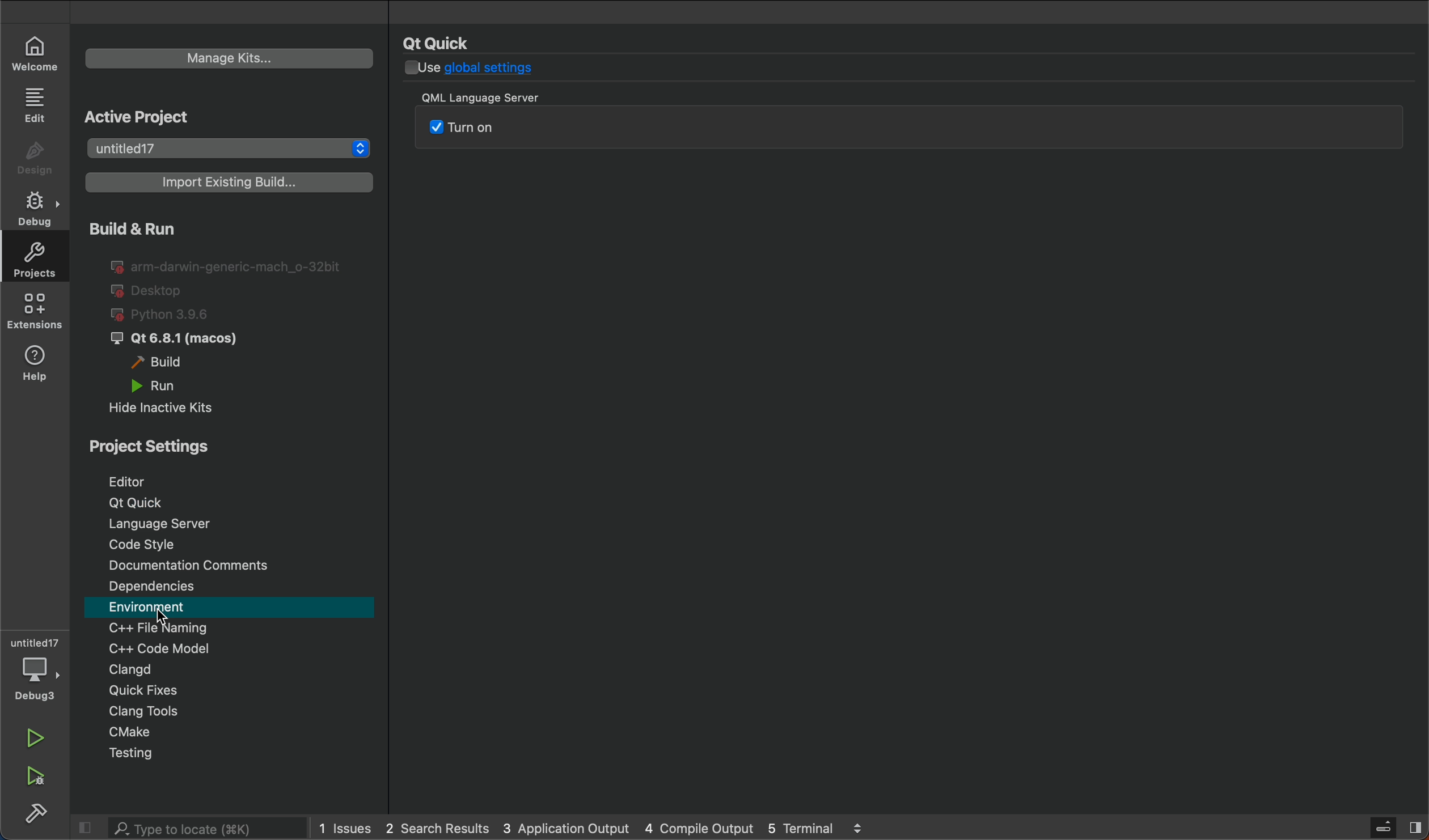 This screenshot has height=840, width=1429. What do you see at coordinates (470, 70) in the screenshot?
I see `use global settings` at bounding box center [470, 70].